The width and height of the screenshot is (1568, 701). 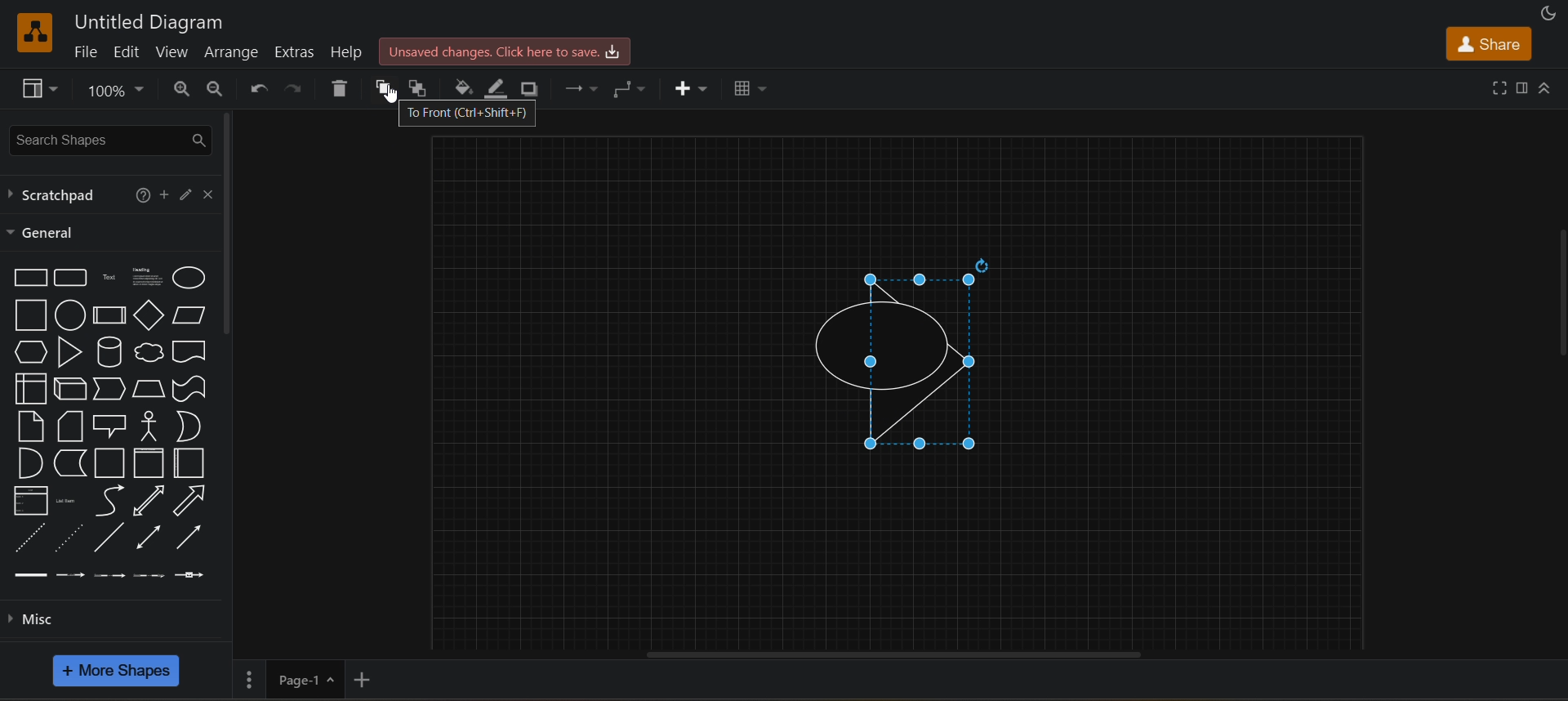 I want to click on fullscreen, so click(x=1499, y=87).